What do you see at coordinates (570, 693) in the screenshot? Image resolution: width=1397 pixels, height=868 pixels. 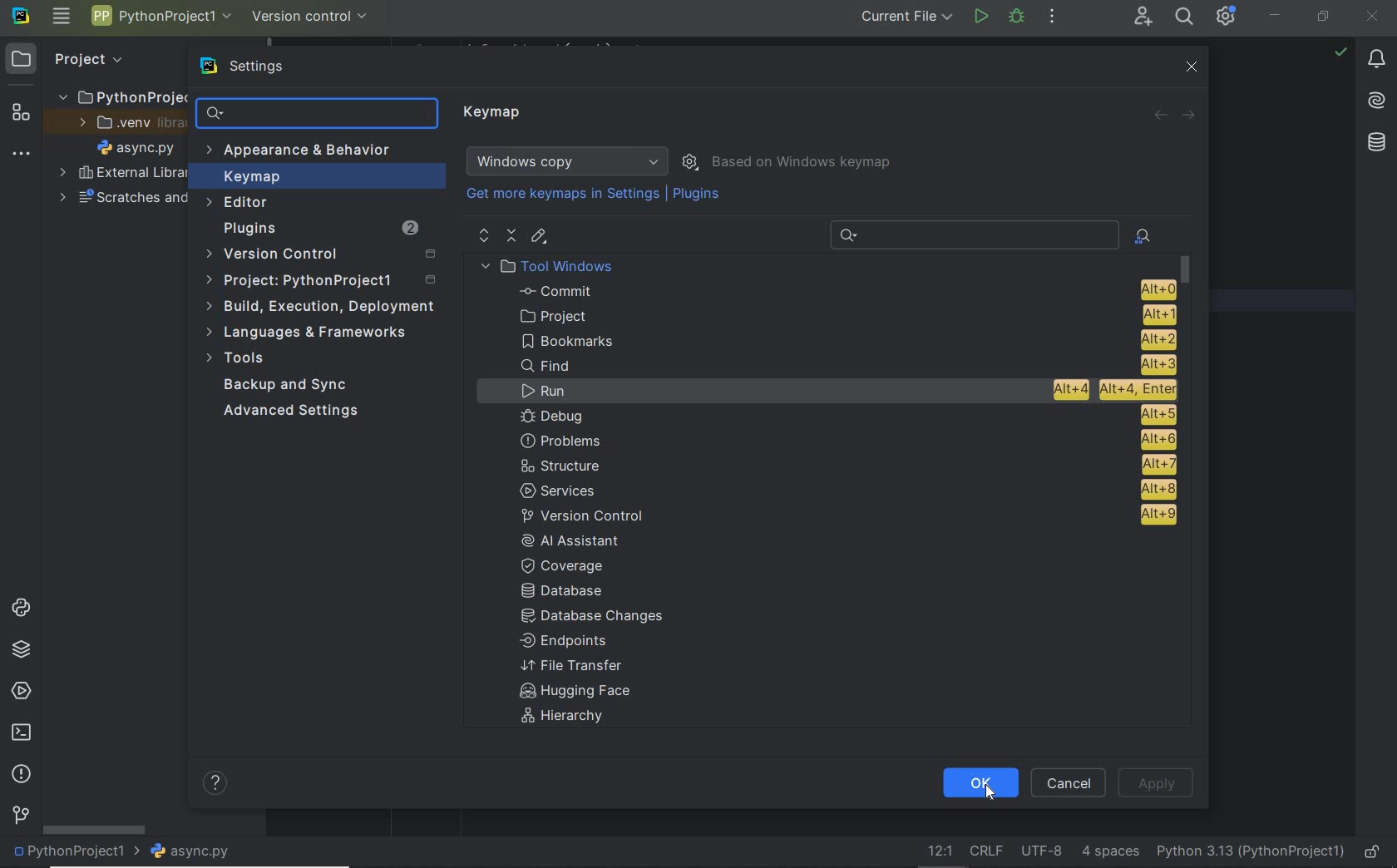 I see `Hugging face` at bounding box center [570, 693].